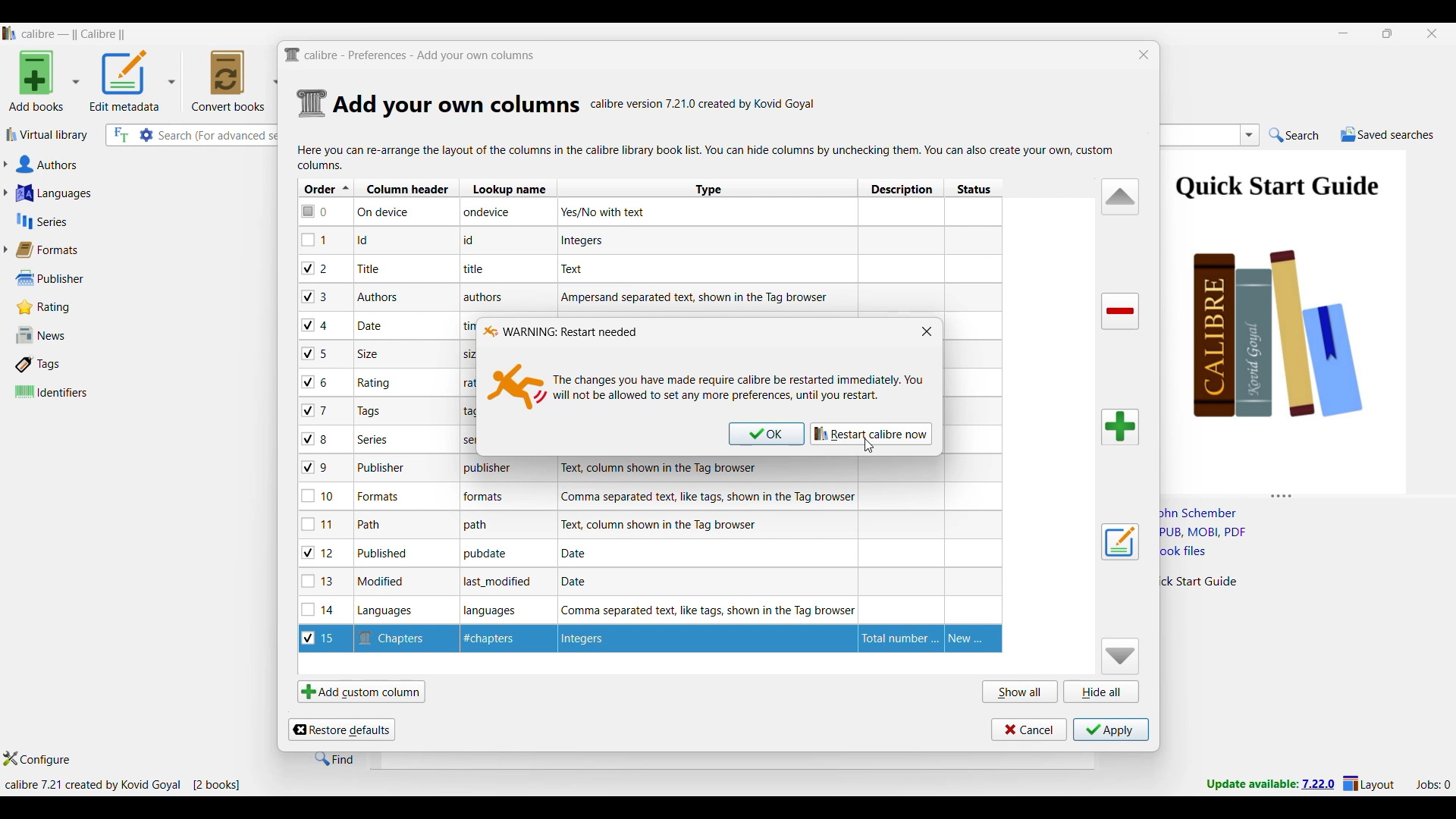  I want to click on checkbox - 0, so click(316, 210).